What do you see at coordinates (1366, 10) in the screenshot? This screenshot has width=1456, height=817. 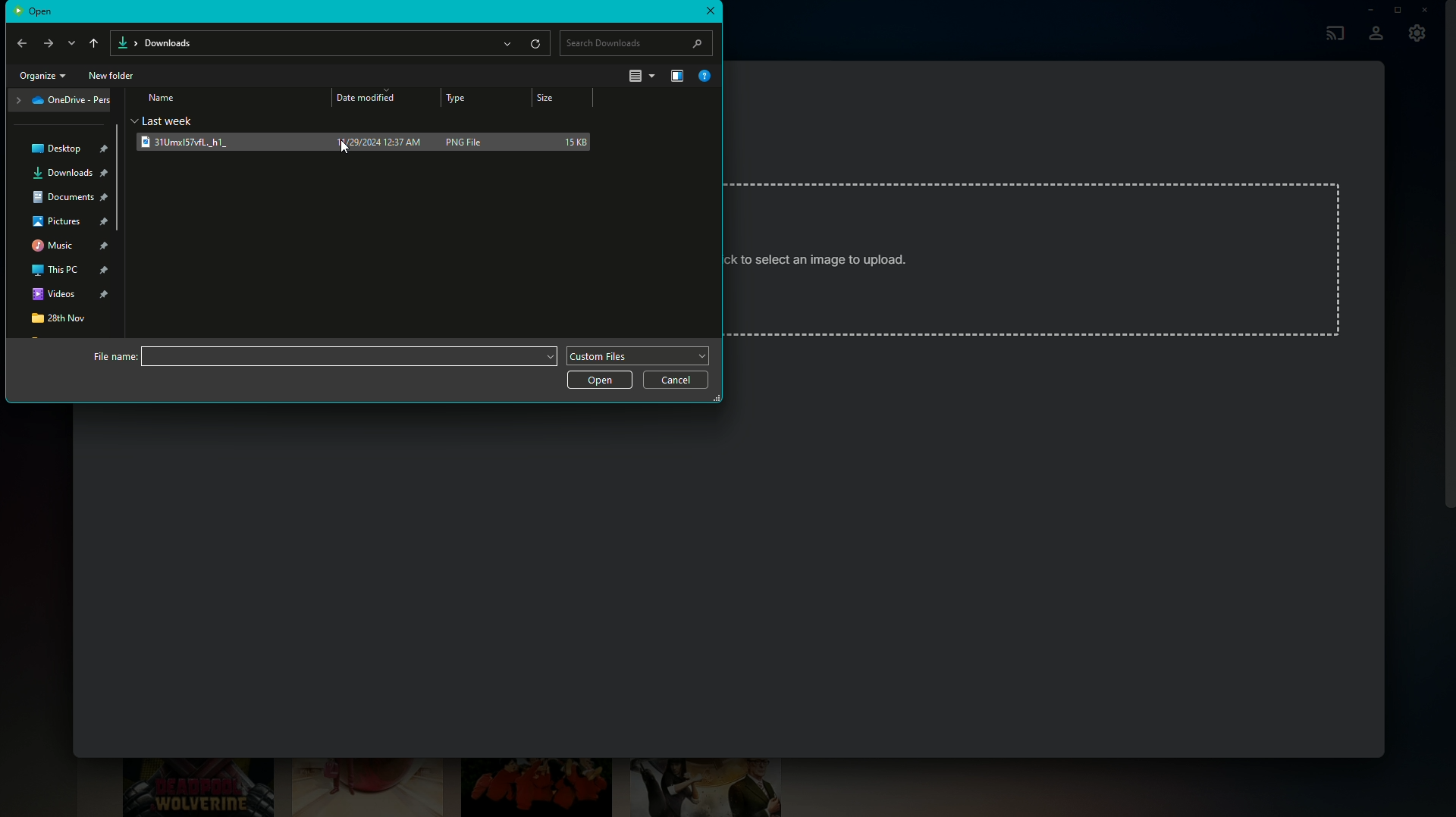 I see `Minimize` at bounding box center [1366, 10].